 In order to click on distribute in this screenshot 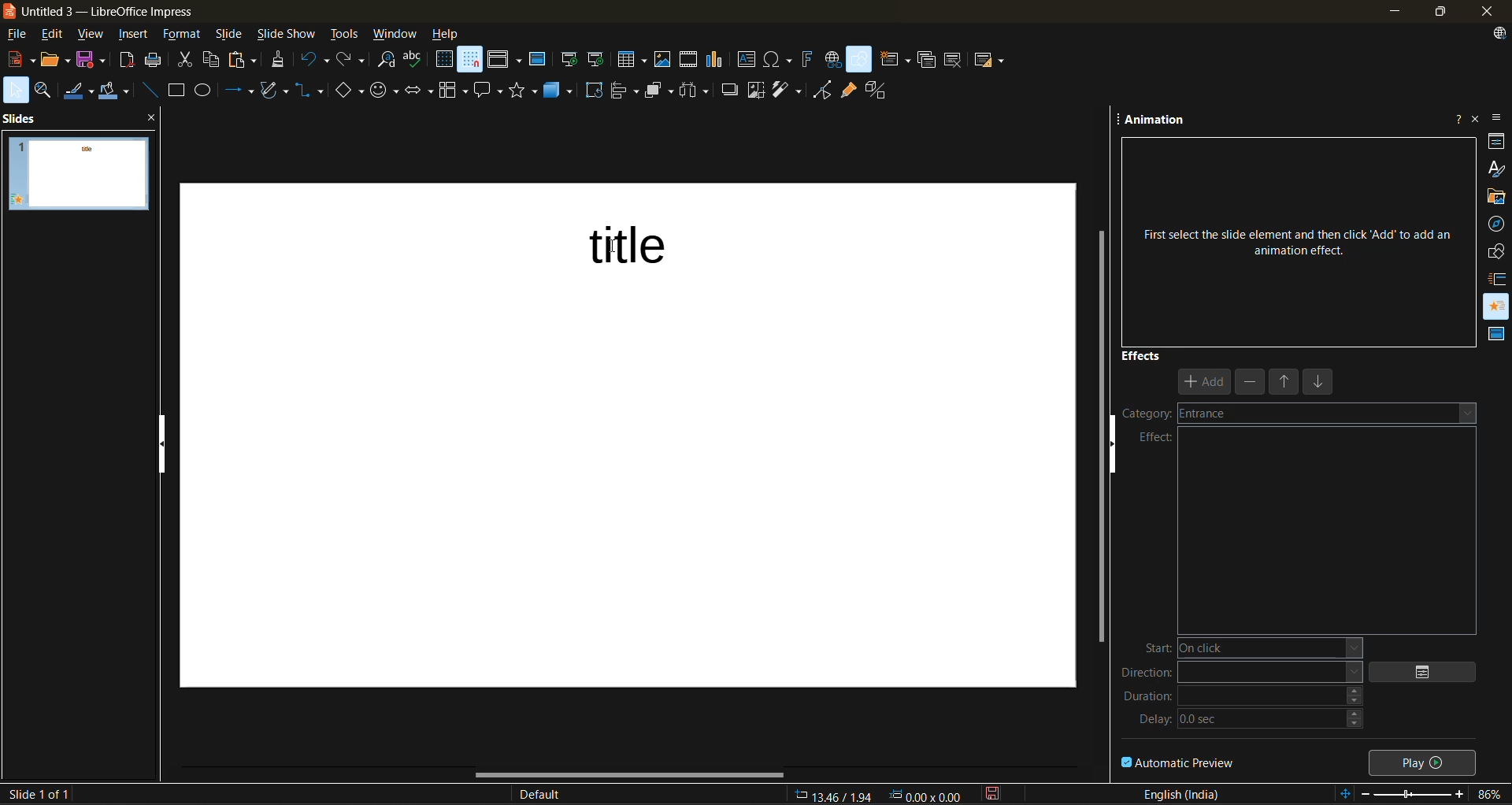, I will do `click(699, 91)`.